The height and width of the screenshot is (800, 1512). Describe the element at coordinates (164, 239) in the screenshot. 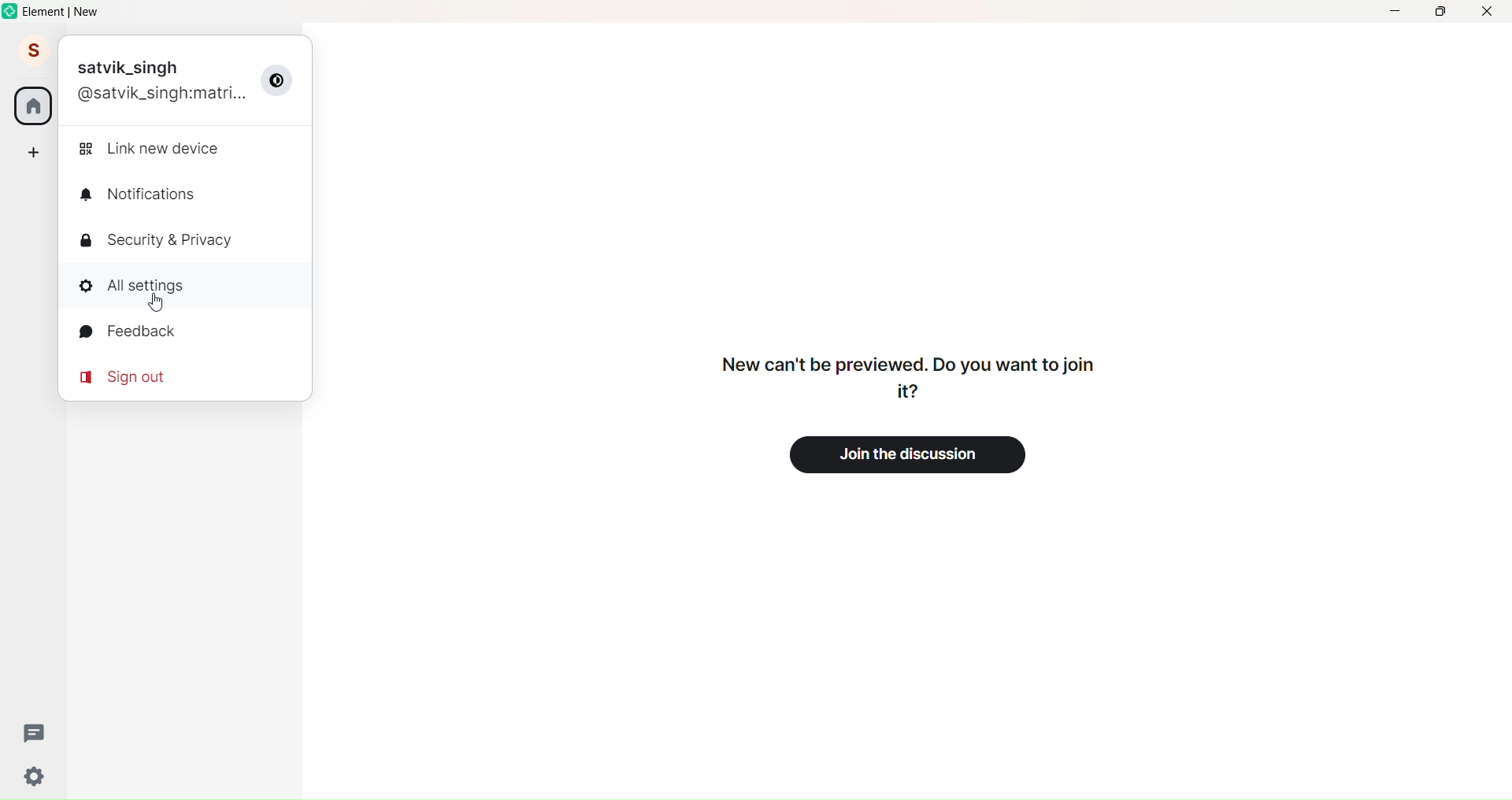

I see `Security and Privacy` at that location.